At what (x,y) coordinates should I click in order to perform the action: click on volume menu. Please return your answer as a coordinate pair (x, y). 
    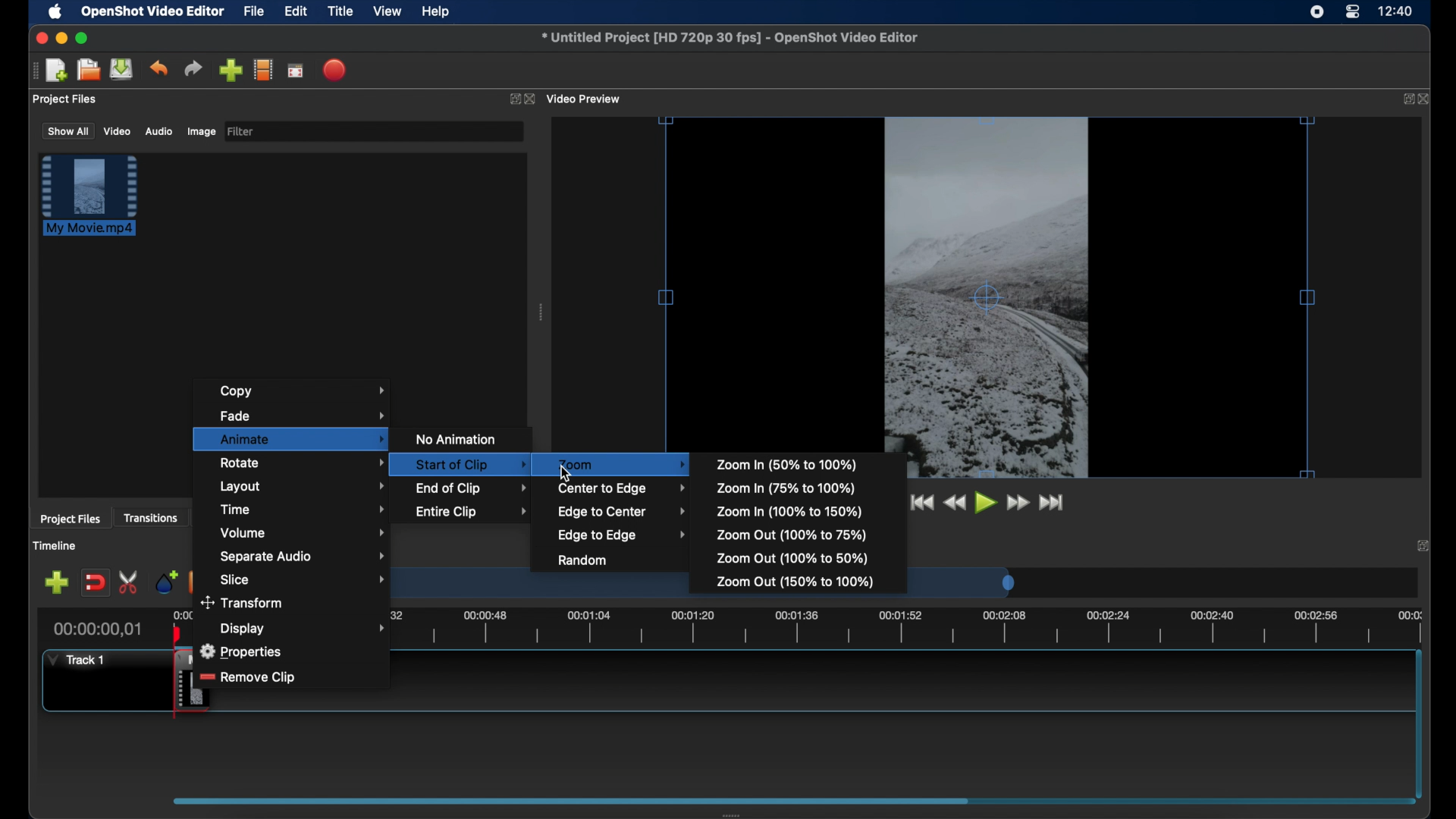
    Looking at the image, I should click on (304, 532).